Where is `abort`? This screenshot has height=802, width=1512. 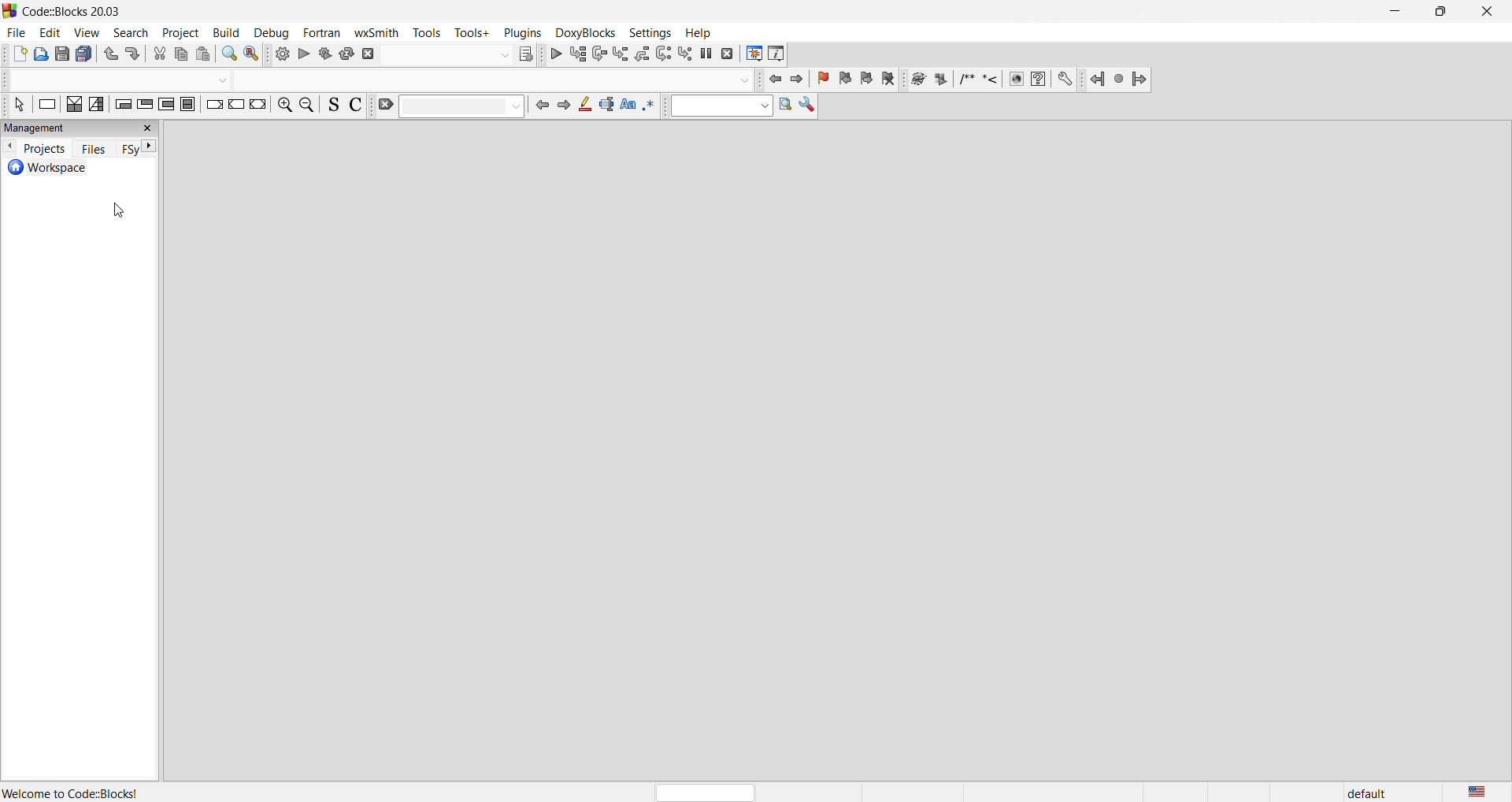 abort is located at coordinates (369, 56).